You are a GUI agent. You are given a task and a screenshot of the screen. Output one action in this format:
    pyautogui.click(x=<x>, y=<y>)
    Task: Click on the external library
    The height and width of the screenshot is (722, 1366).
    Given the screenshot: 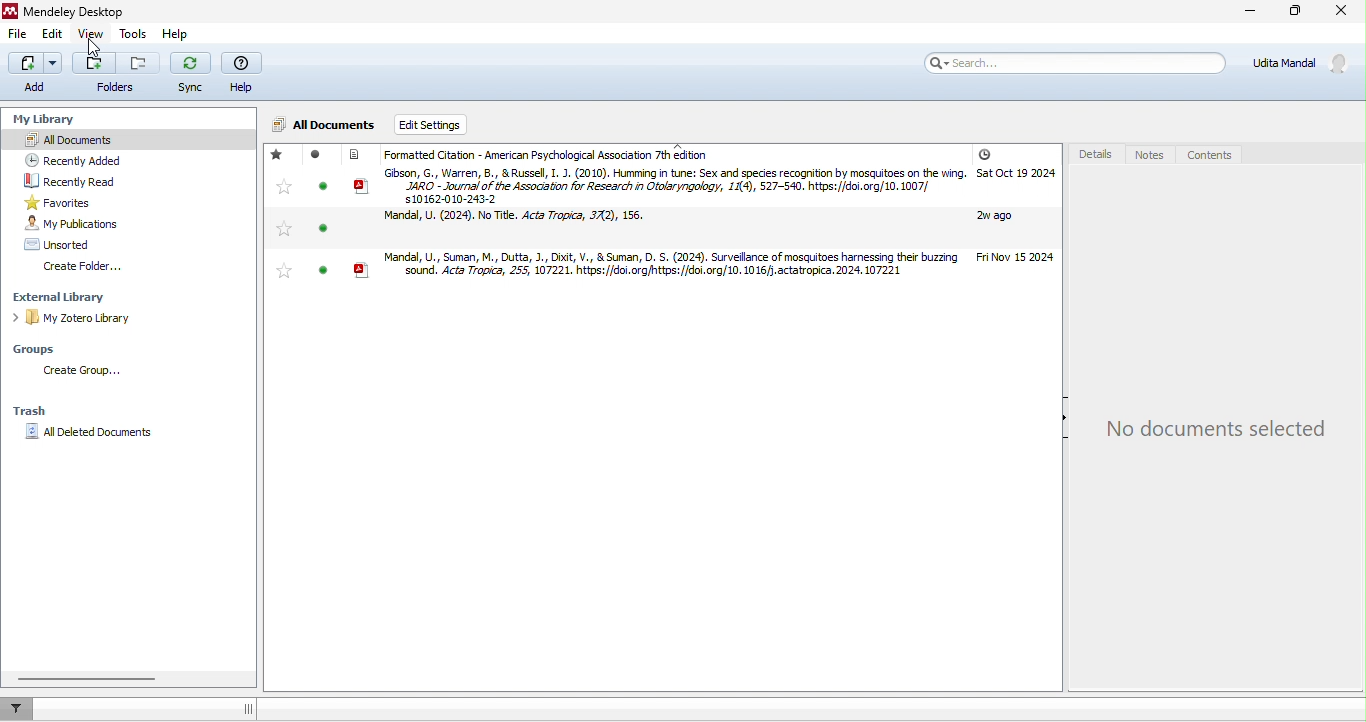 What is the action you would take?
    pyautogui.click(x=70, y=298)
    